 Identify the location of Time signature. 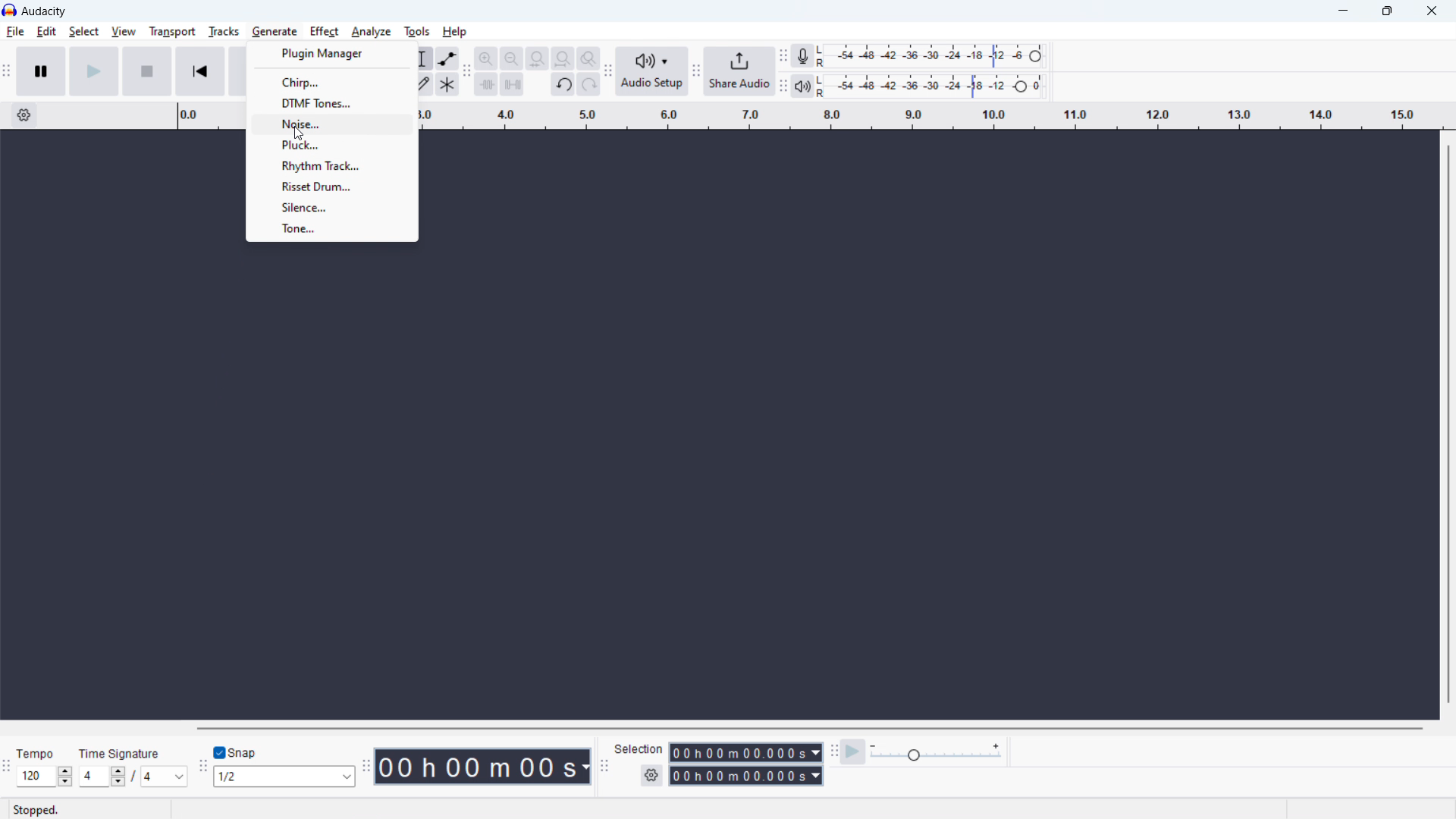
(122, 752).